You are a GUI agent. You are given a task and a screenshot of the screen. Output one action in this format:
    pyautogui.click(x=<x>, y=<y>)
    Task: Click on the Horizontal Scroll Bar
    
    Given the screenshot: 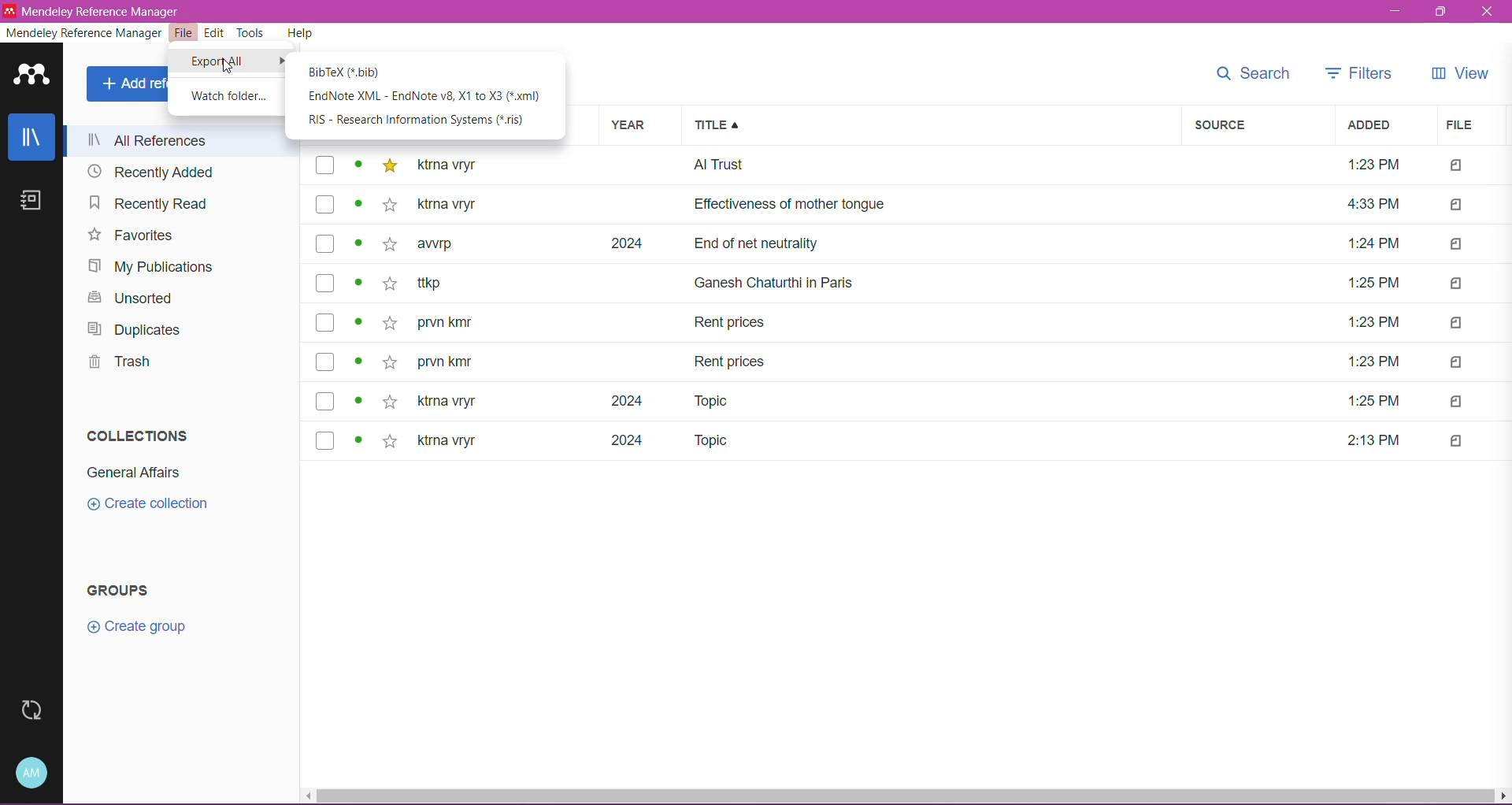 What is the action you would take?
    pyautogui.click(x=906, y=796)
    